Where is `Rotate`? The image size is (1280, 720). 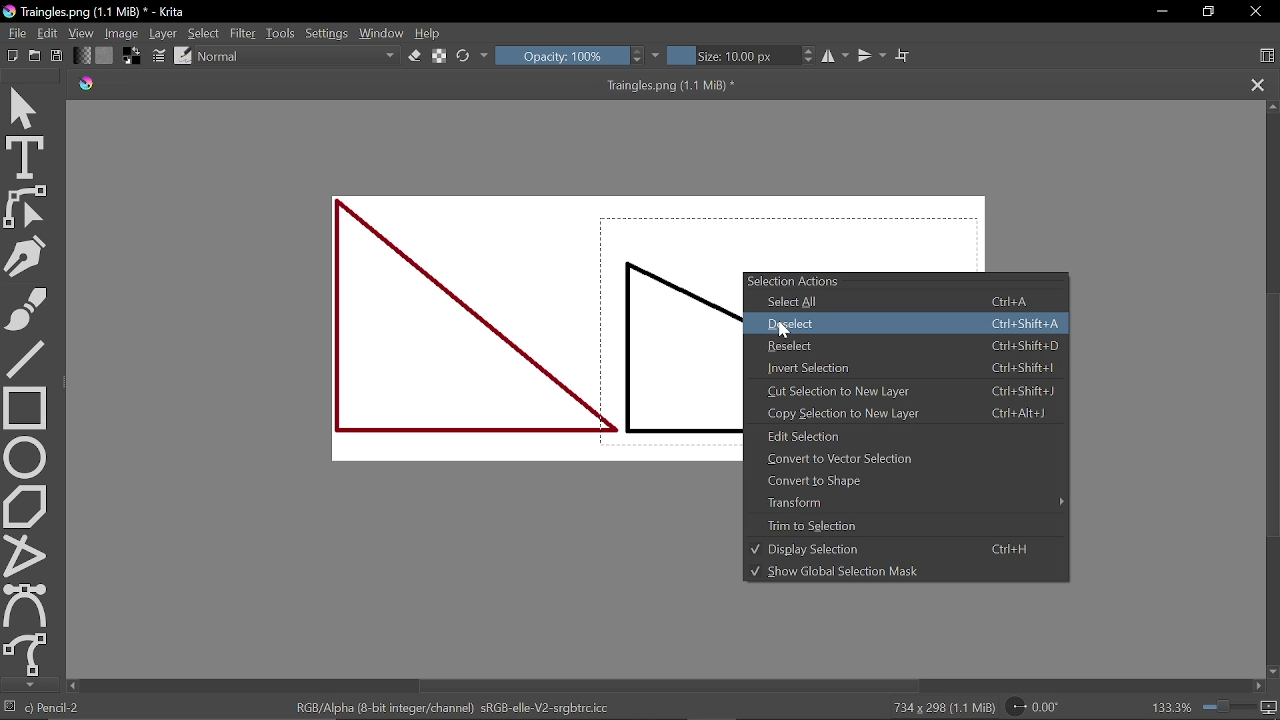
Rotate is located at coordinates (1034, 706).